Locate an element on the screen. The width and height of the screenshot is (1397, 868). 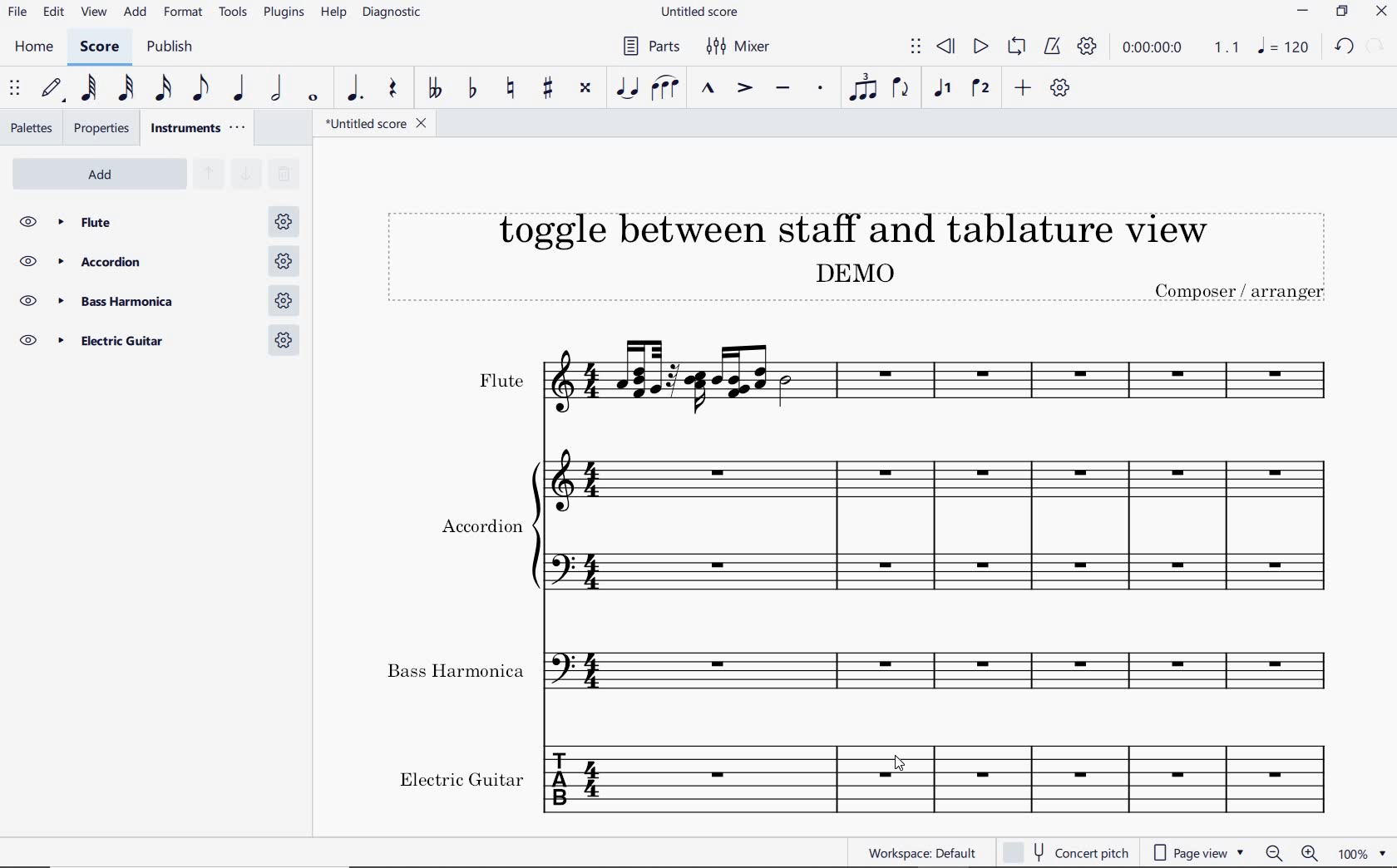
toggle sharp is located at coordinates (548, 89).